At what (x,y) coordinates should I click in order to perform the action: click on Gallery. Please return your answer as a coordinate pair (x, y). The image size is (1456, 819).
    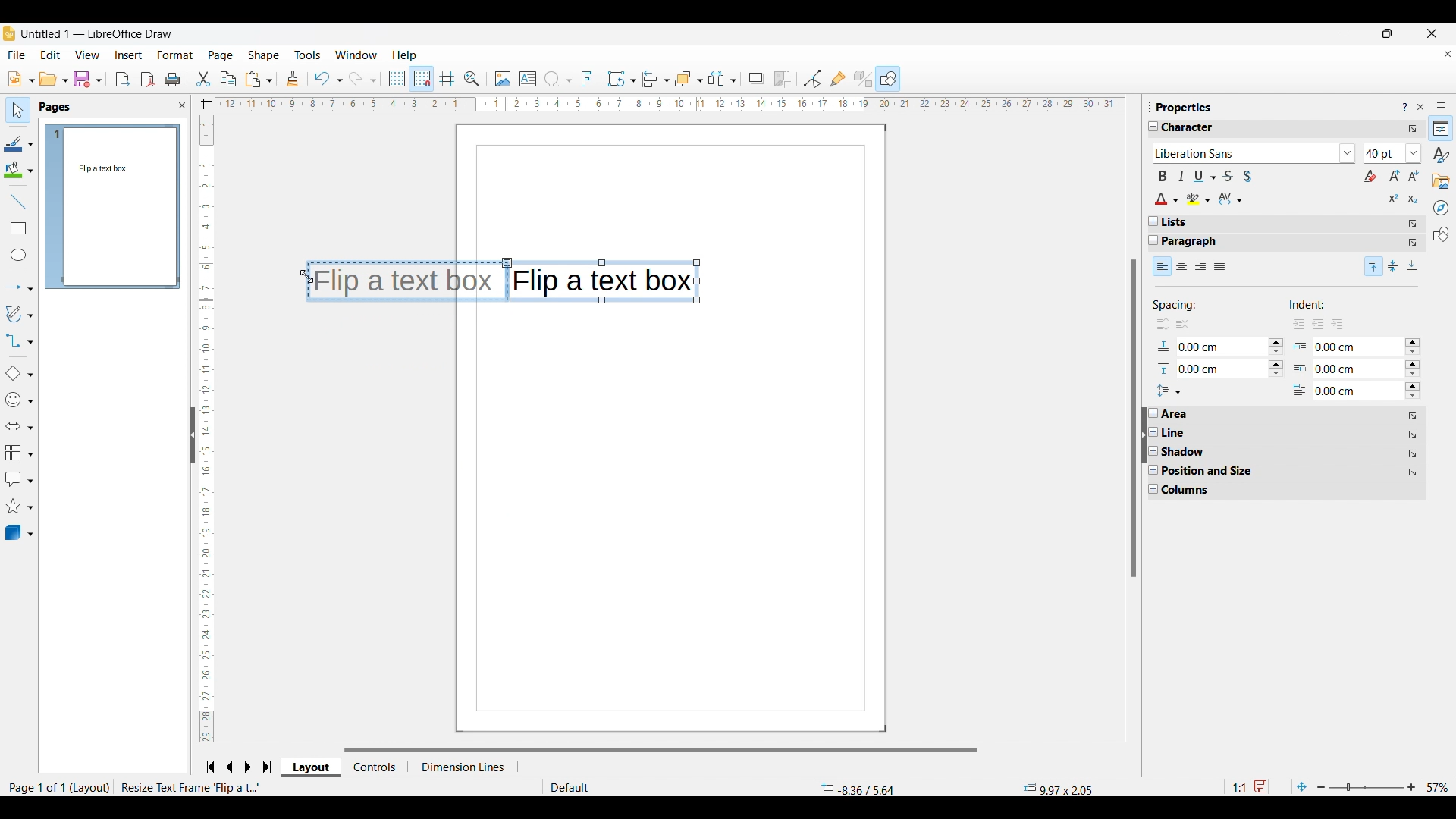
    Looking at the image, I should click on (1442, 182).